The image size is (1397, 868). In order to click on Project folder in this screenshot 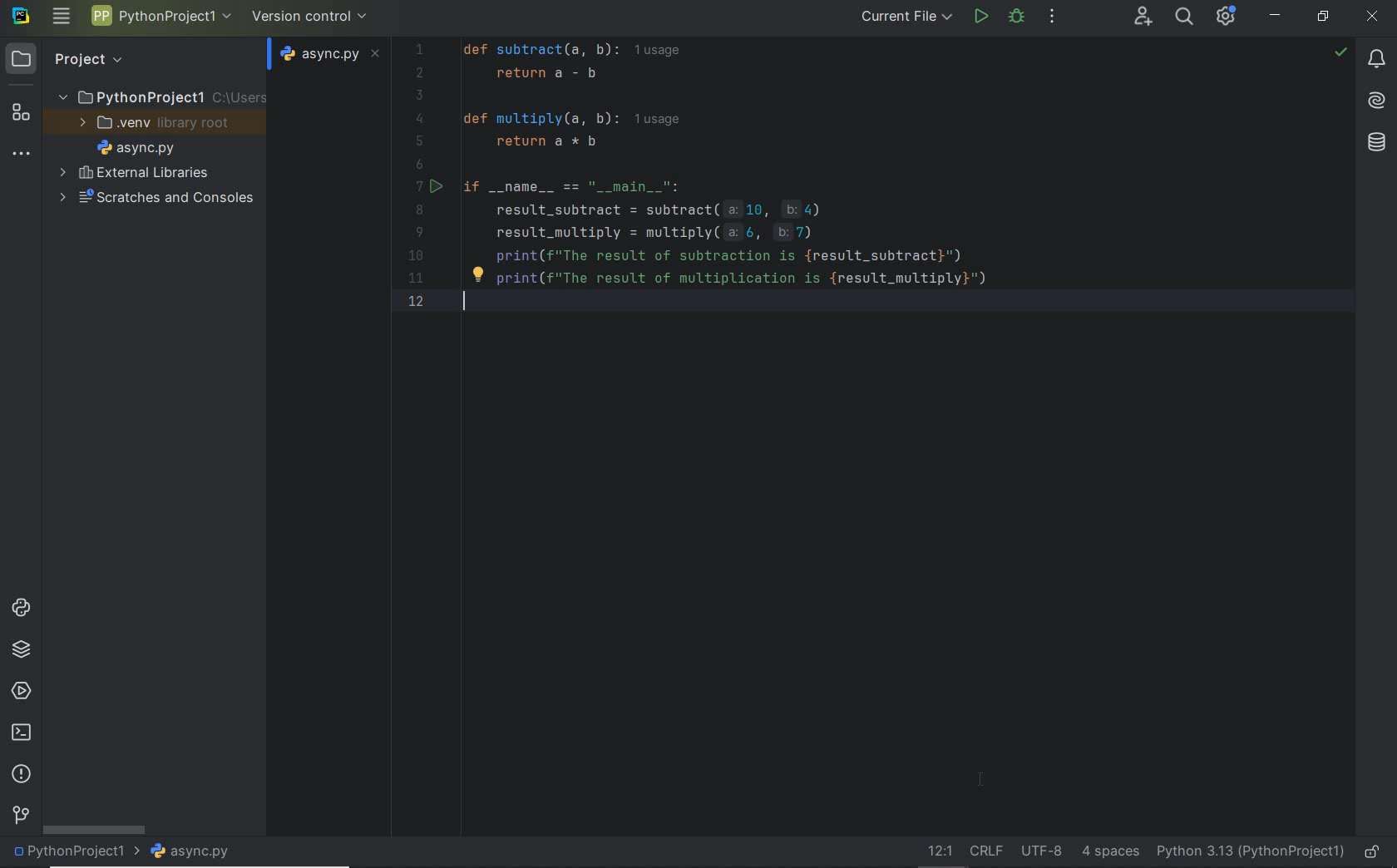, I will do `click(158, 98)`.